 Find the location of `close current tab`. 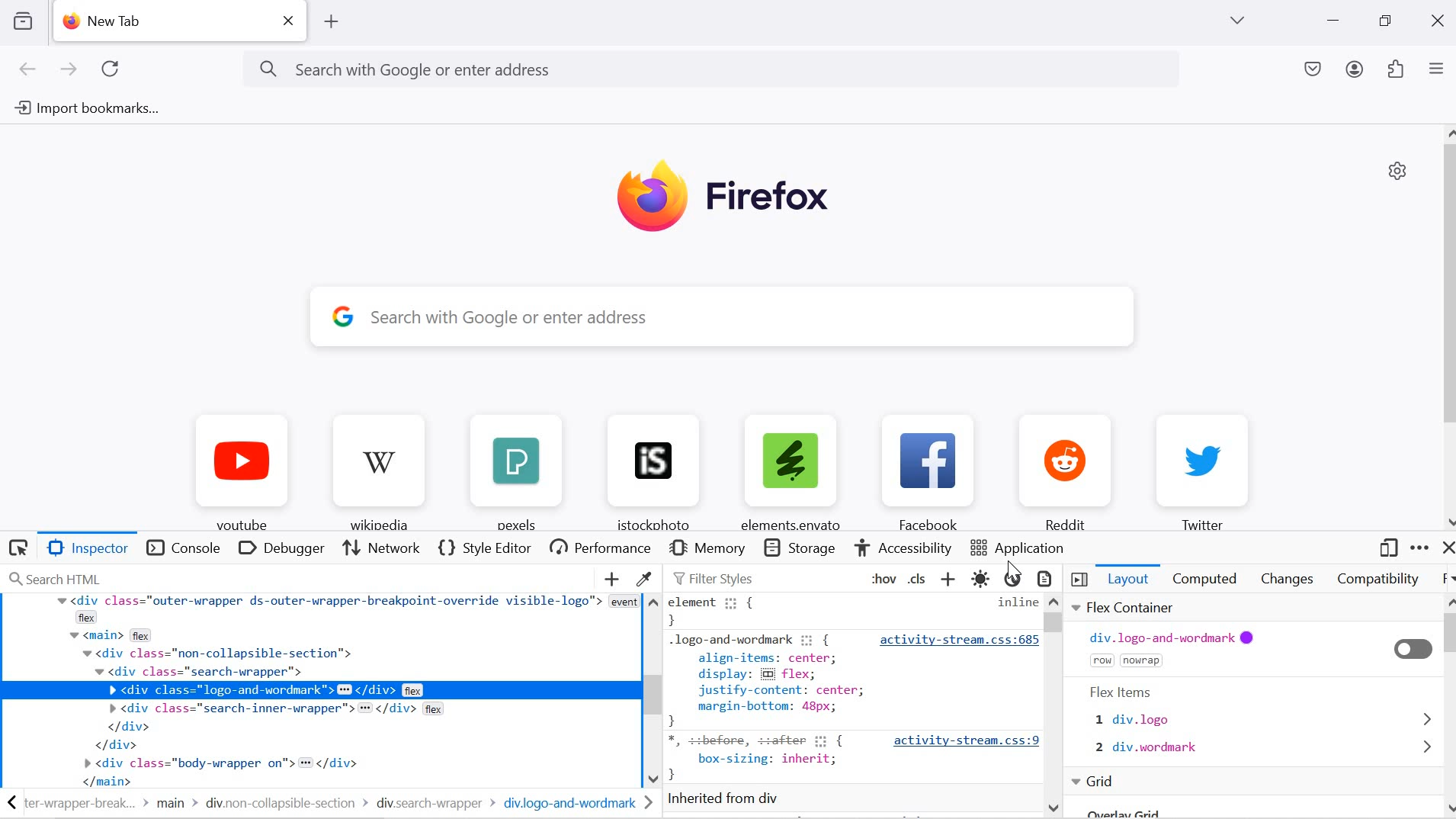

close current tab is located at coordinates (287, 21).